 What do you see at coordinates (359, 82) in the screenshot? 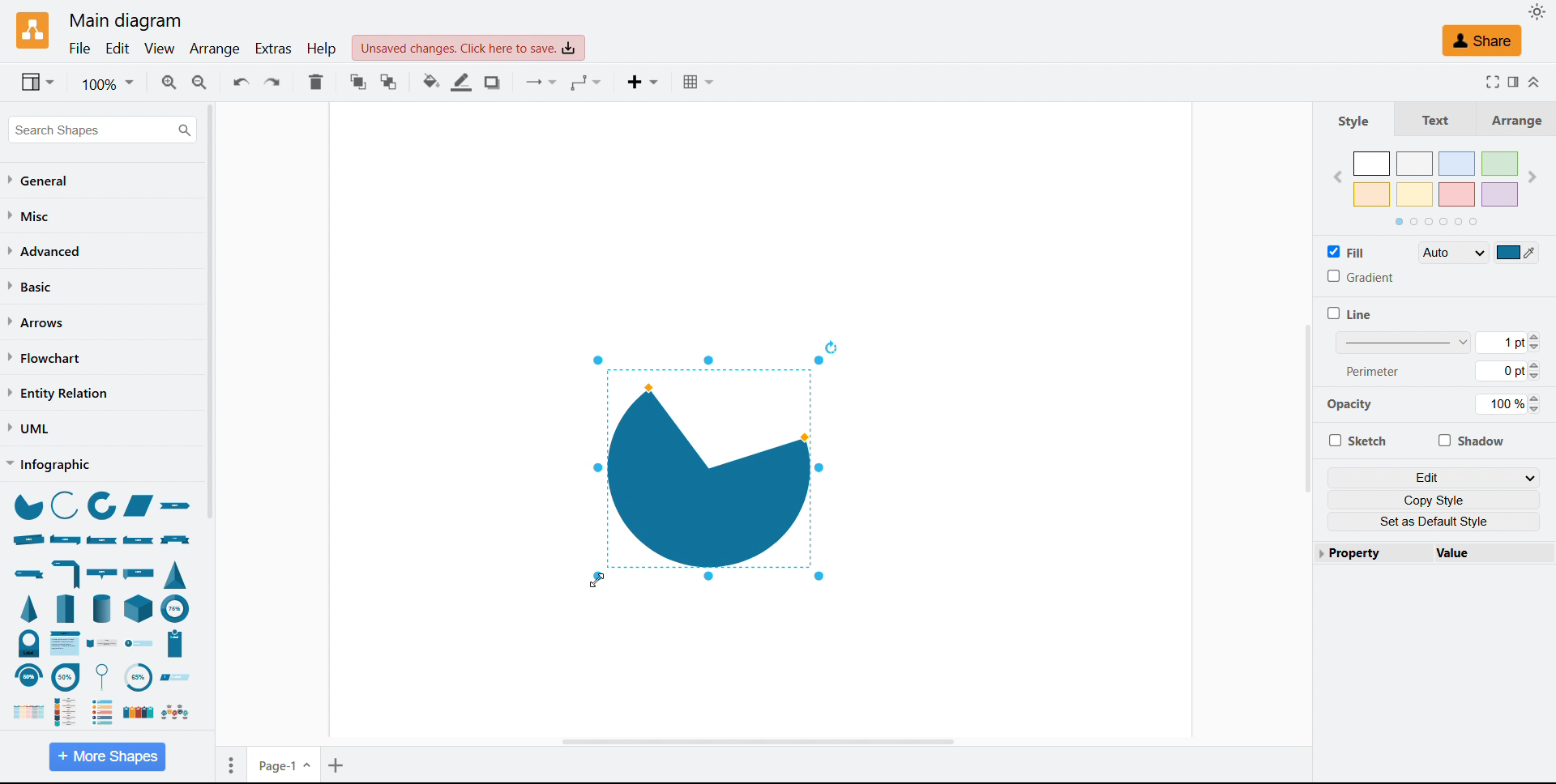
I see `To front ` at bounding box center [359, 82].